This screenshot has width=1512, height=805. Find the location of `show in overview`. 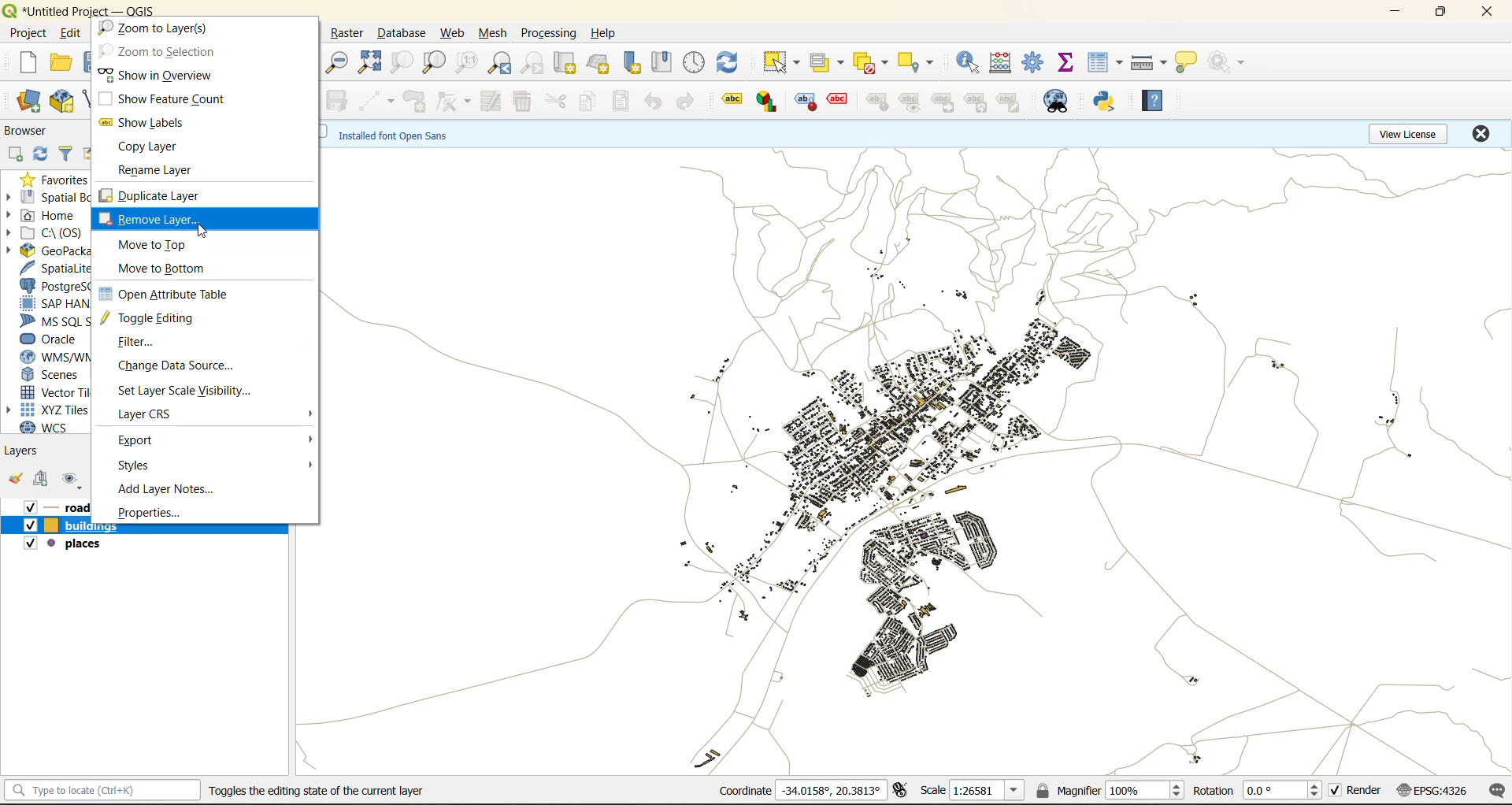

show in overview is located at coordinates (166, 76).